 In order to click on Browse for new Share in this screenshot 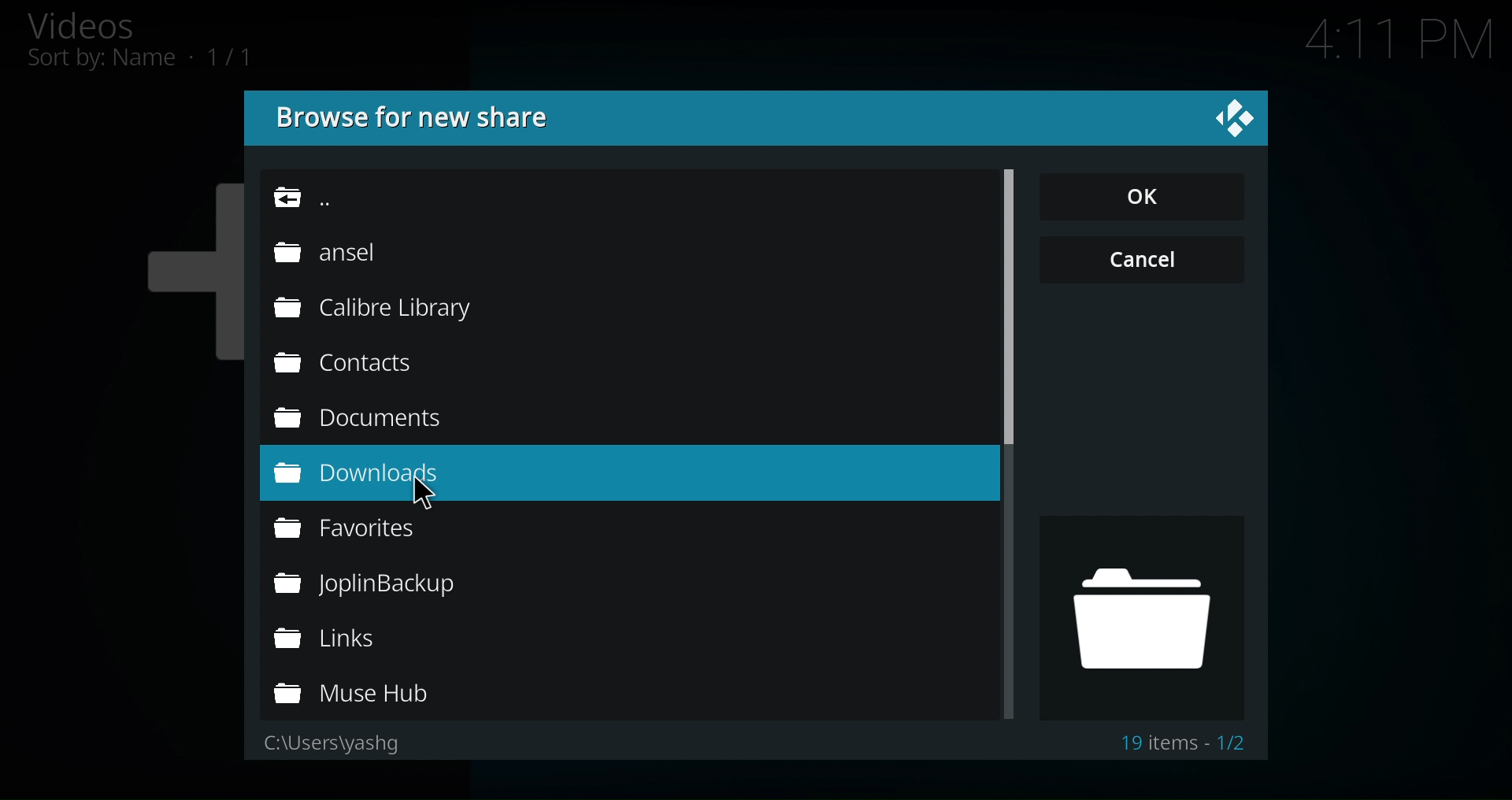, I will do `click(419, 120)`.